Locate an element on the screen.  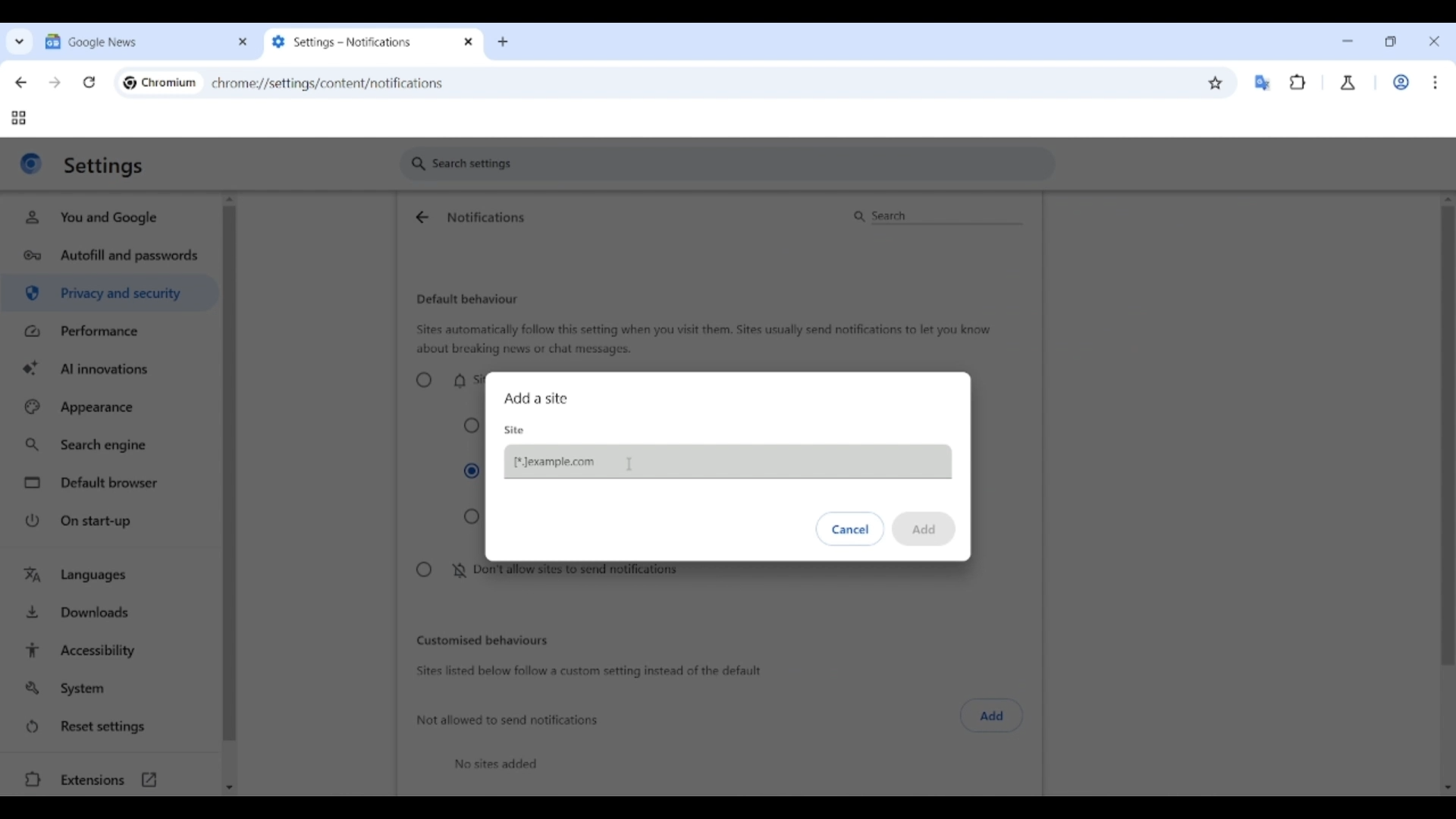
Minimize is located at coordinates (1348, 41).